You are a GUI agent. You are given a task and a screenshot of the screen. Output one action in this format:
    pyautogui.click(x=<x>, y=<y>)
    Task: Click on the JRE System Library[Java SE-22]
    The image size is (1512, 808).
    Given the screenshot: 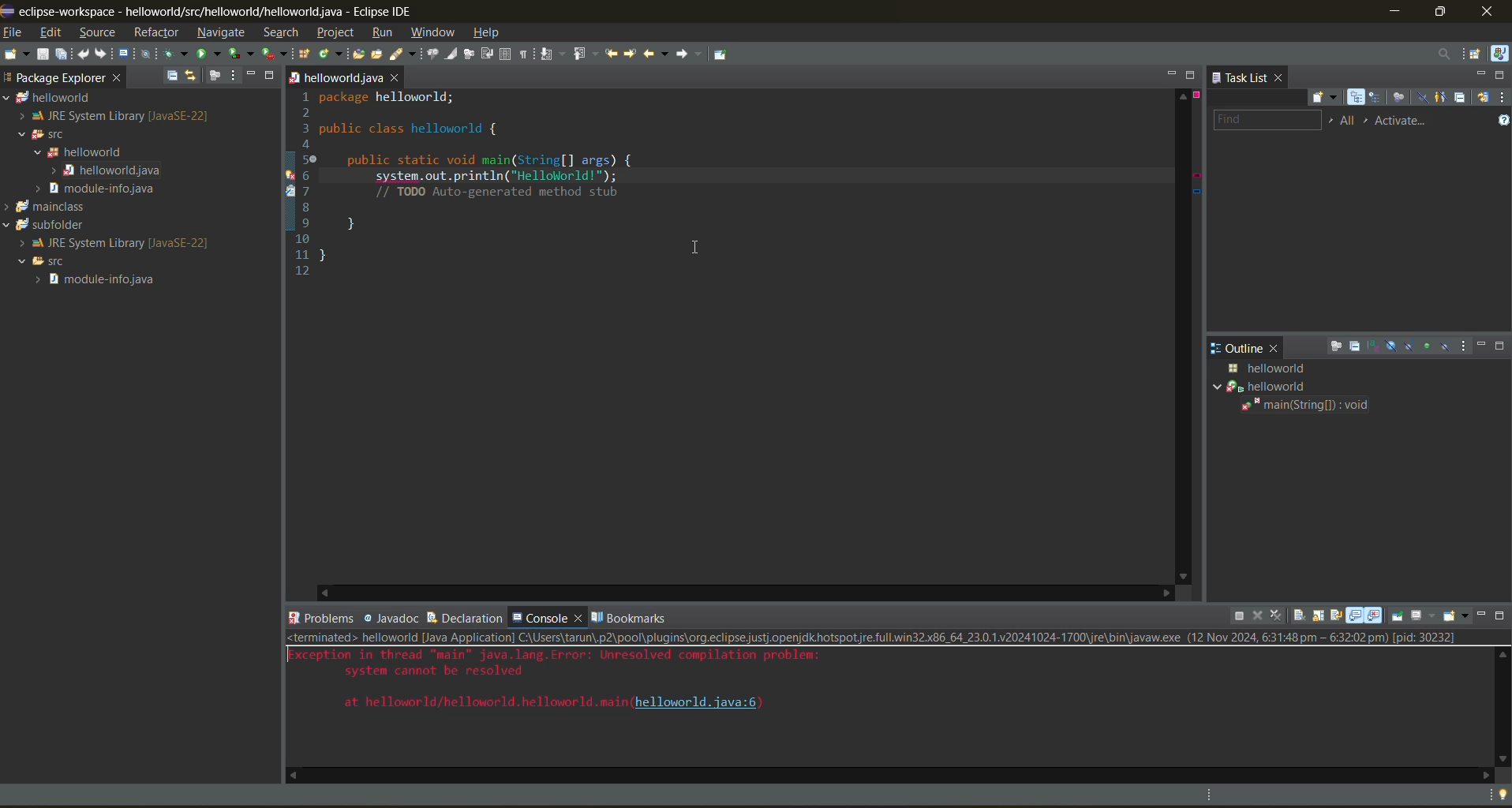 What is the action you would take?
    pyautogui.click(x=109, y=242)
    